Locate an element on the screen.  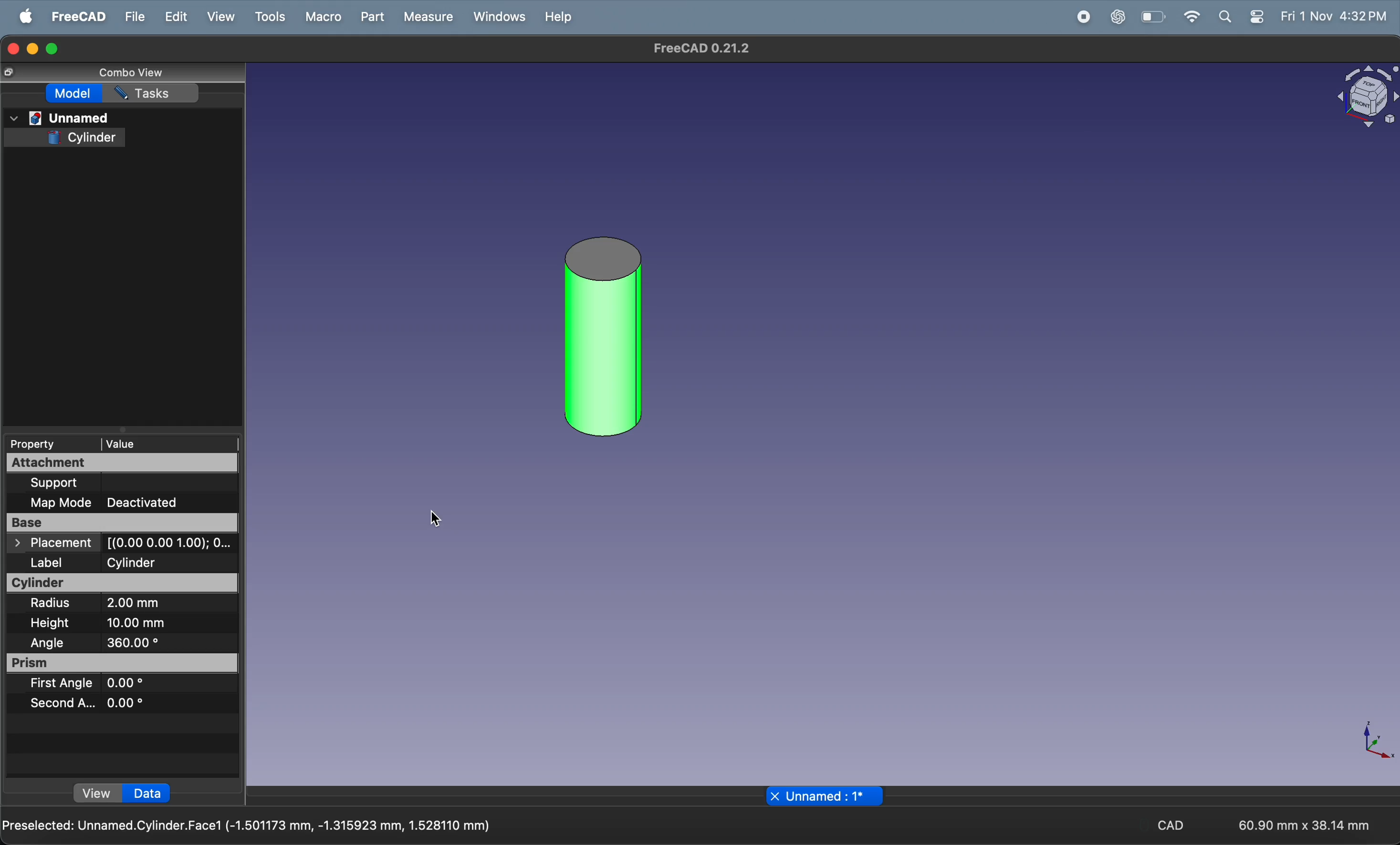
object view is located at coordinates (1367, 97).